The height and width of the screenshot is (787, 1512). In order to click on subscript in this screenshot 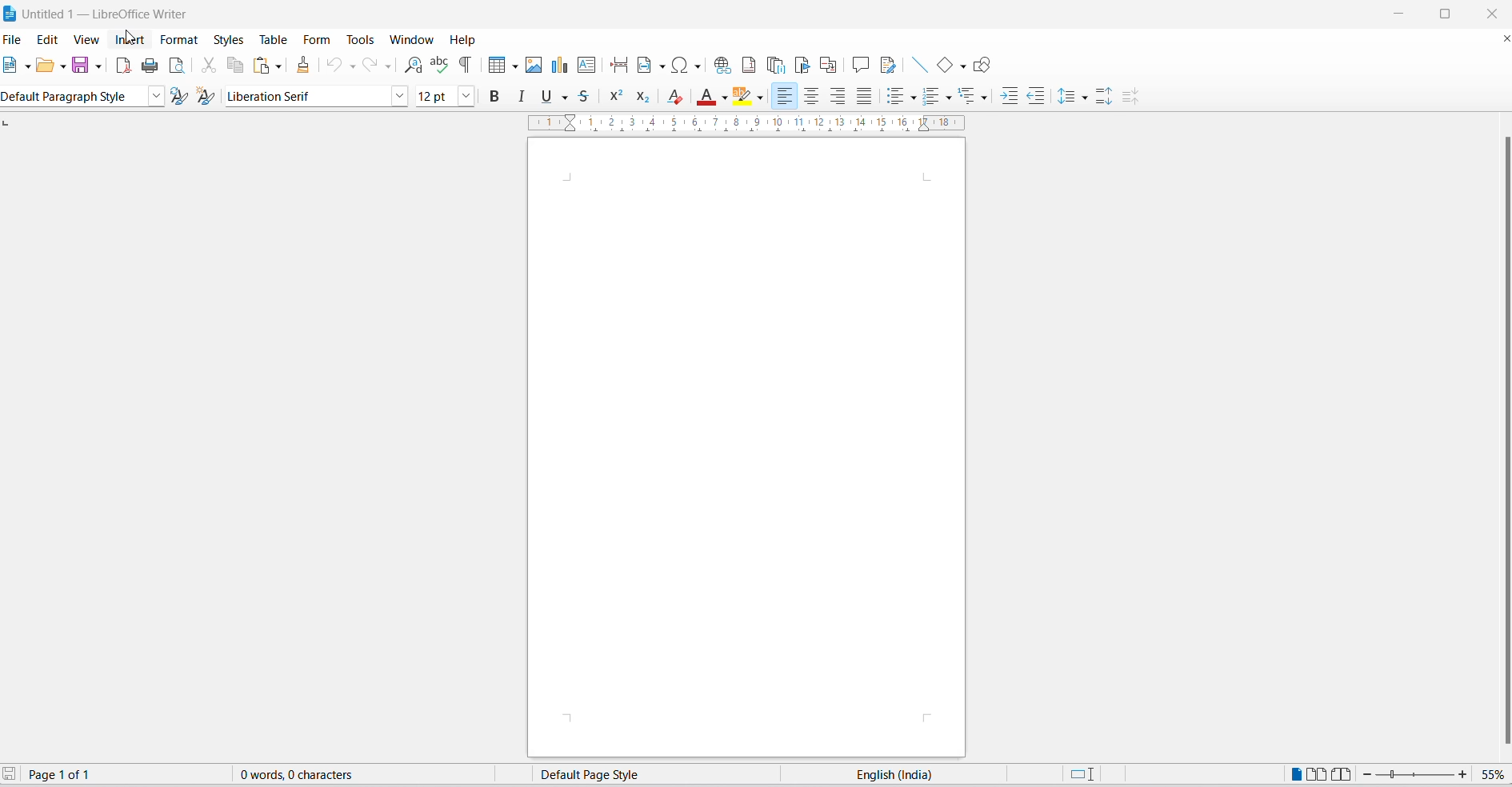, I will do `click(646, 97)`.